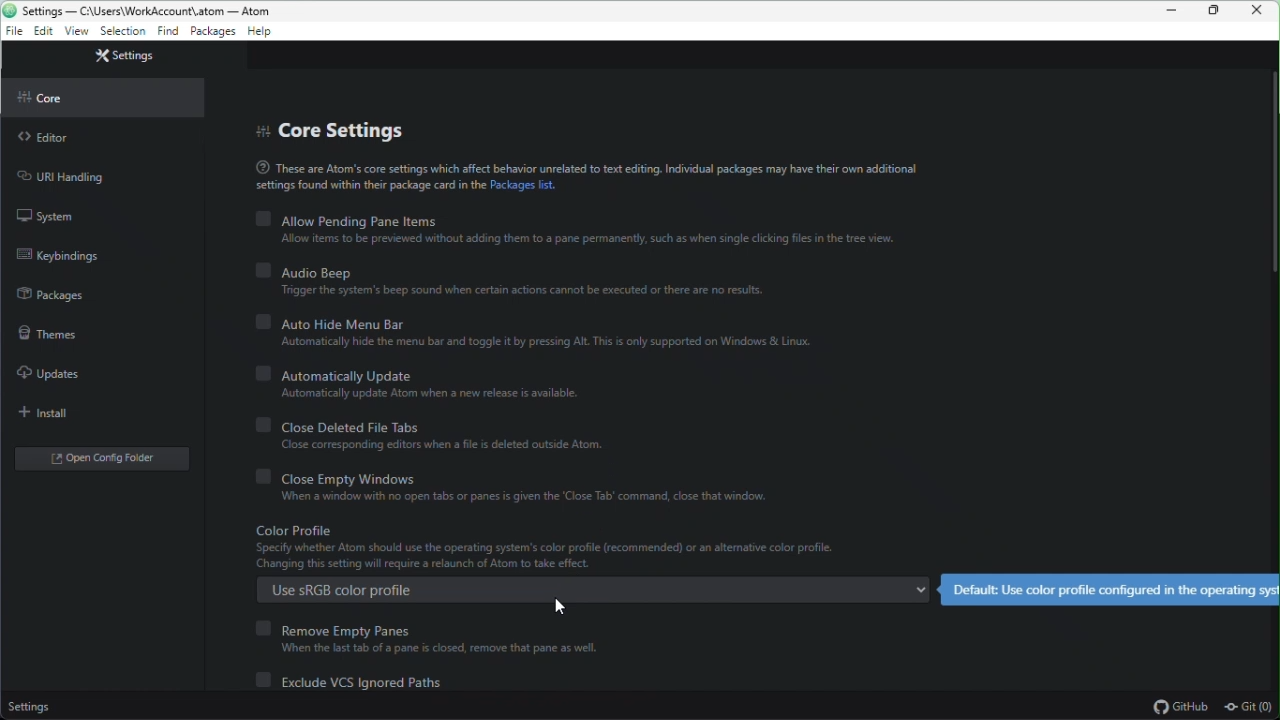 The image size is (1280, 720). I want to click on Color profile, so click(587, 547).